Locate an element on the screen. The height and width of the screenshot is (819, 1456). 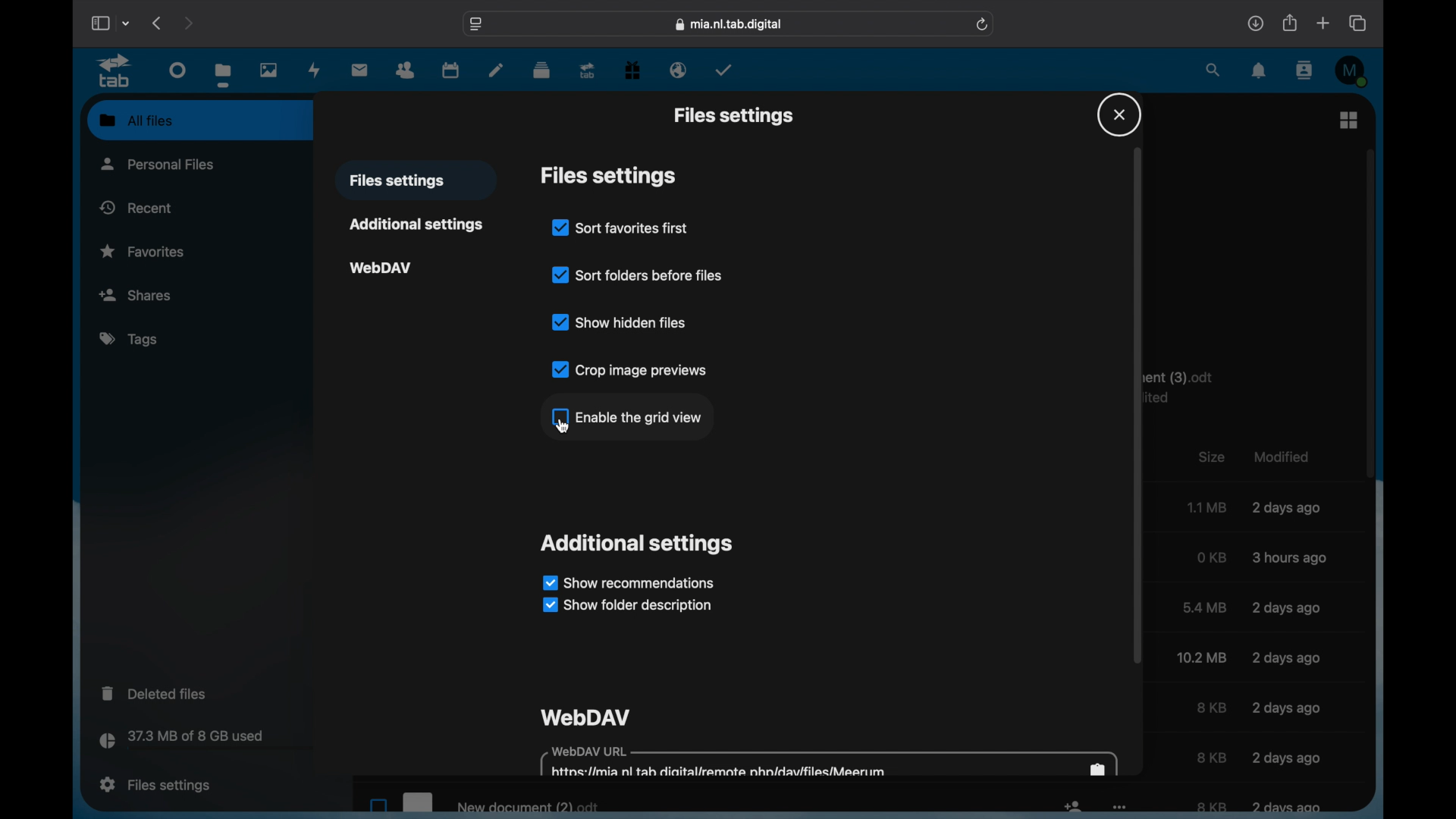
share is located at coordinates (1288, 23).